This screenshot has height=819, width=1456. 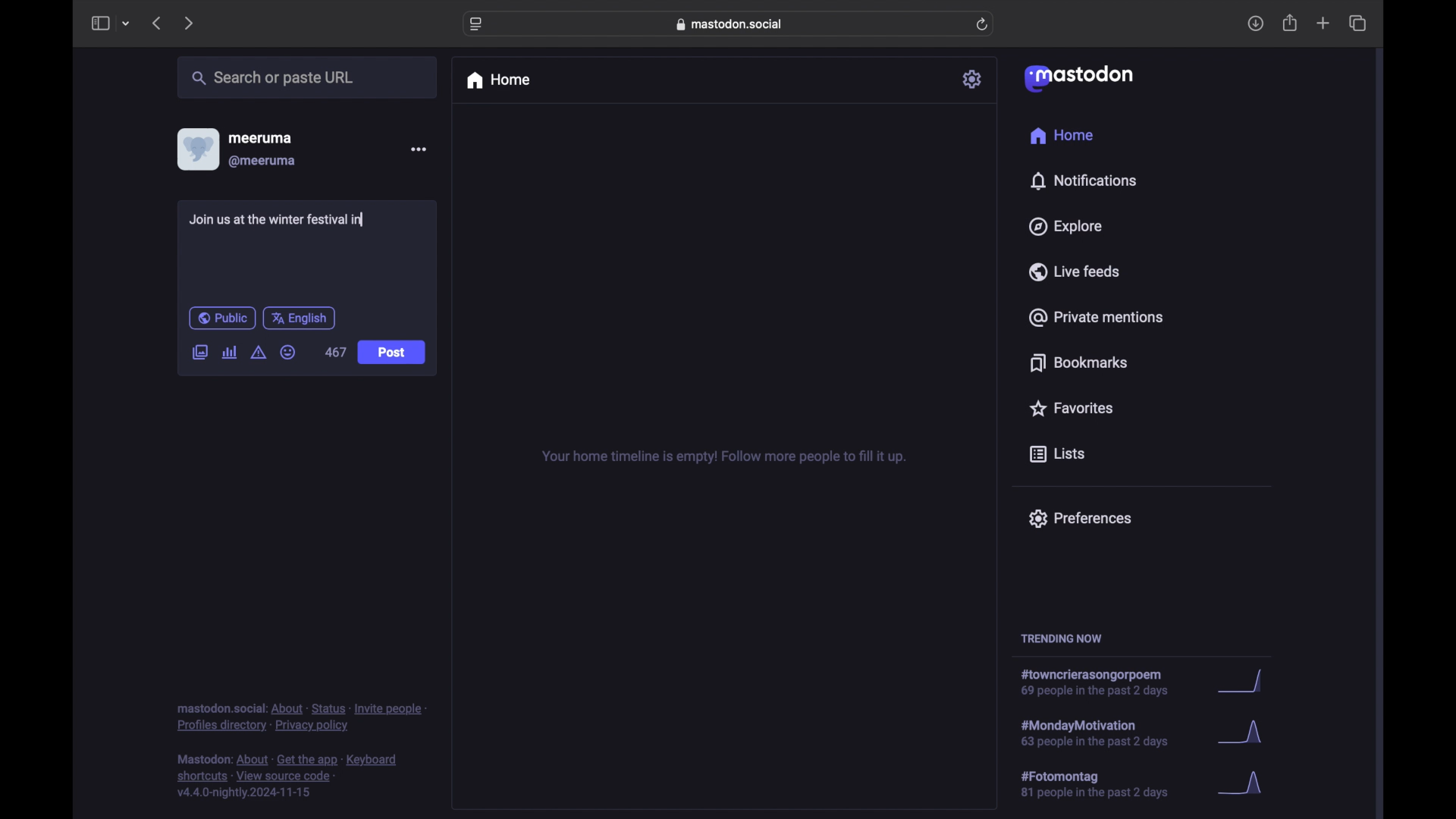 What do you see at coordinates (1070, 408) in the screenshot?
I see `favorites` at bounding box center [1070, 408].